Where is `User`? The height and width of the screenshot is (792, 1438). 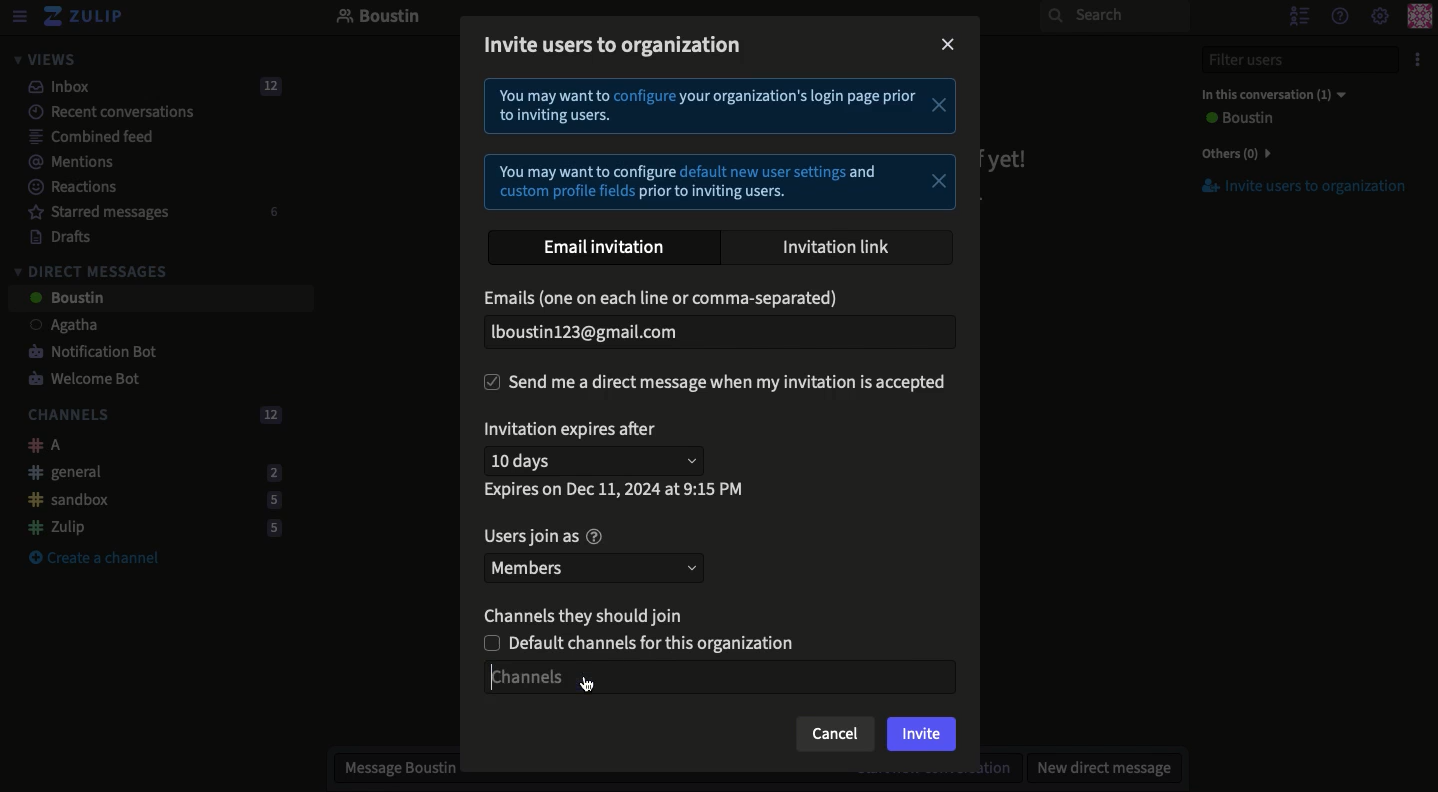
User is located at coordinates (1236, 119).